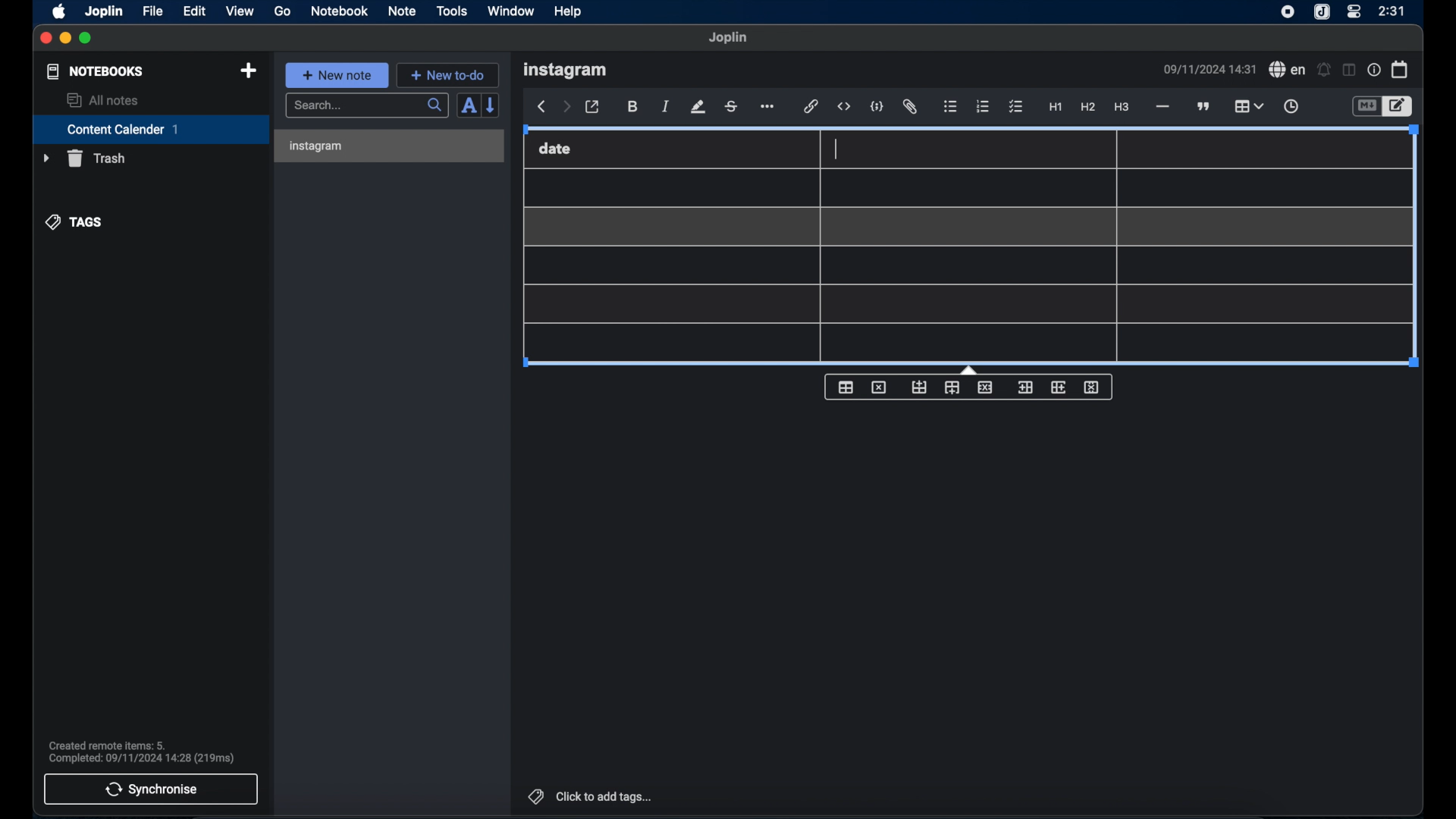 This screenshot has width=1456, height=819. What do you see at coordinates (592, 107) in the screenshot?
I see `toggle external editor` at bounding box center [592, 107].